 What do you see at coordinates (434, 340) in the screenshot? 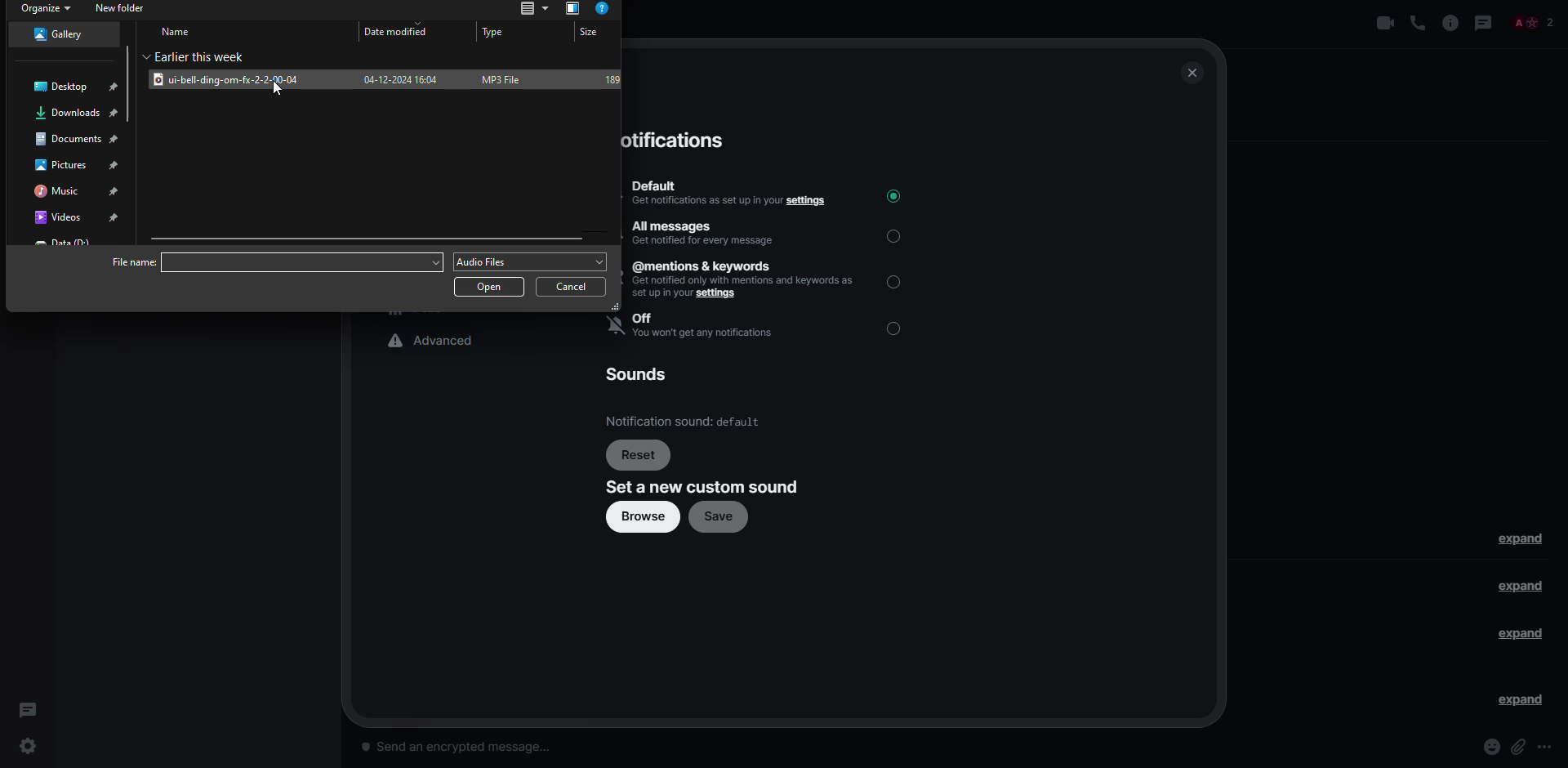
I see `advanced` at bounding box center [434, 340].